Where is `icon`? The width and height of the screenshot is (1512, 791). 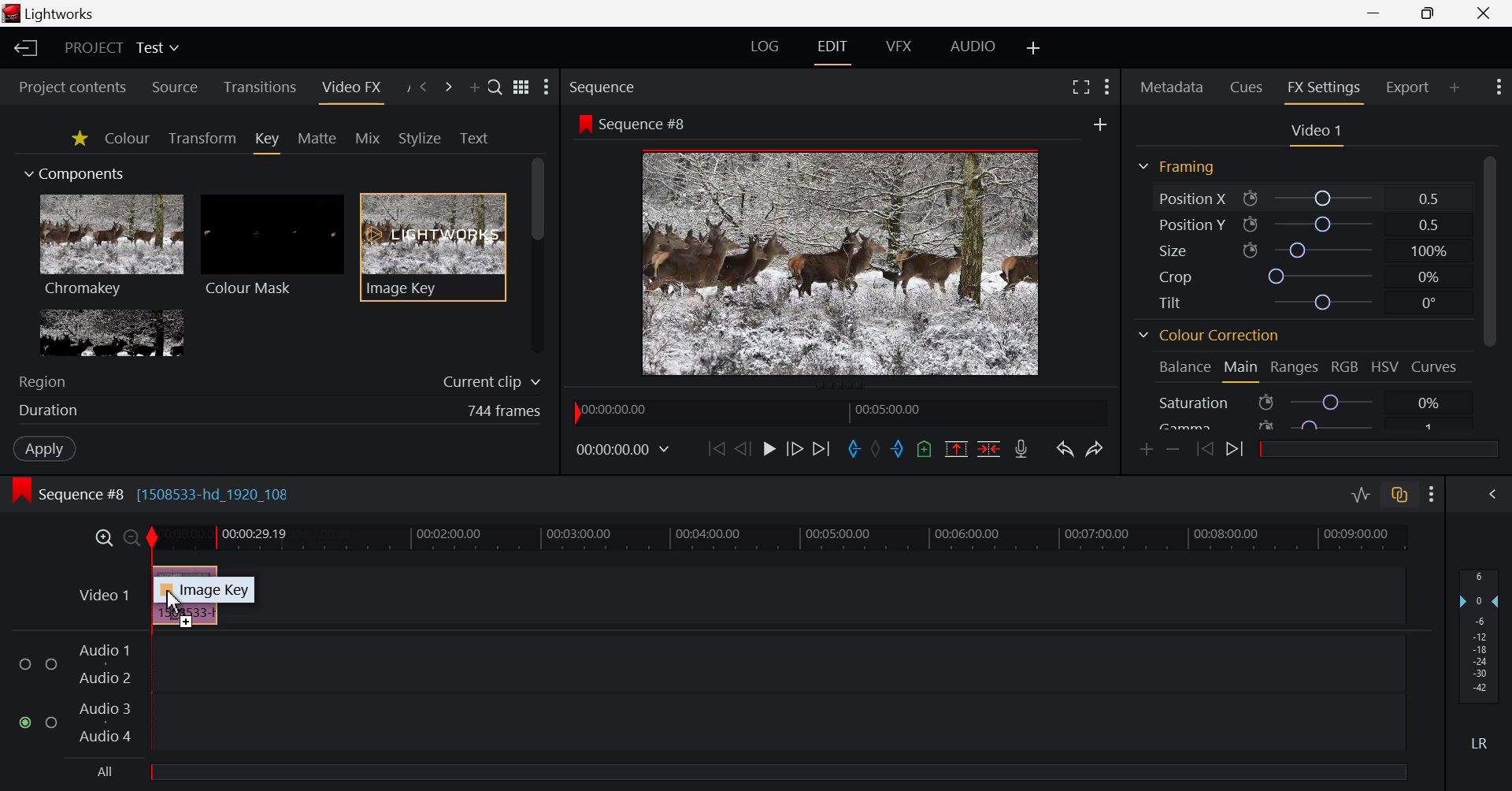 icon is located at coordinates (1252, 200).